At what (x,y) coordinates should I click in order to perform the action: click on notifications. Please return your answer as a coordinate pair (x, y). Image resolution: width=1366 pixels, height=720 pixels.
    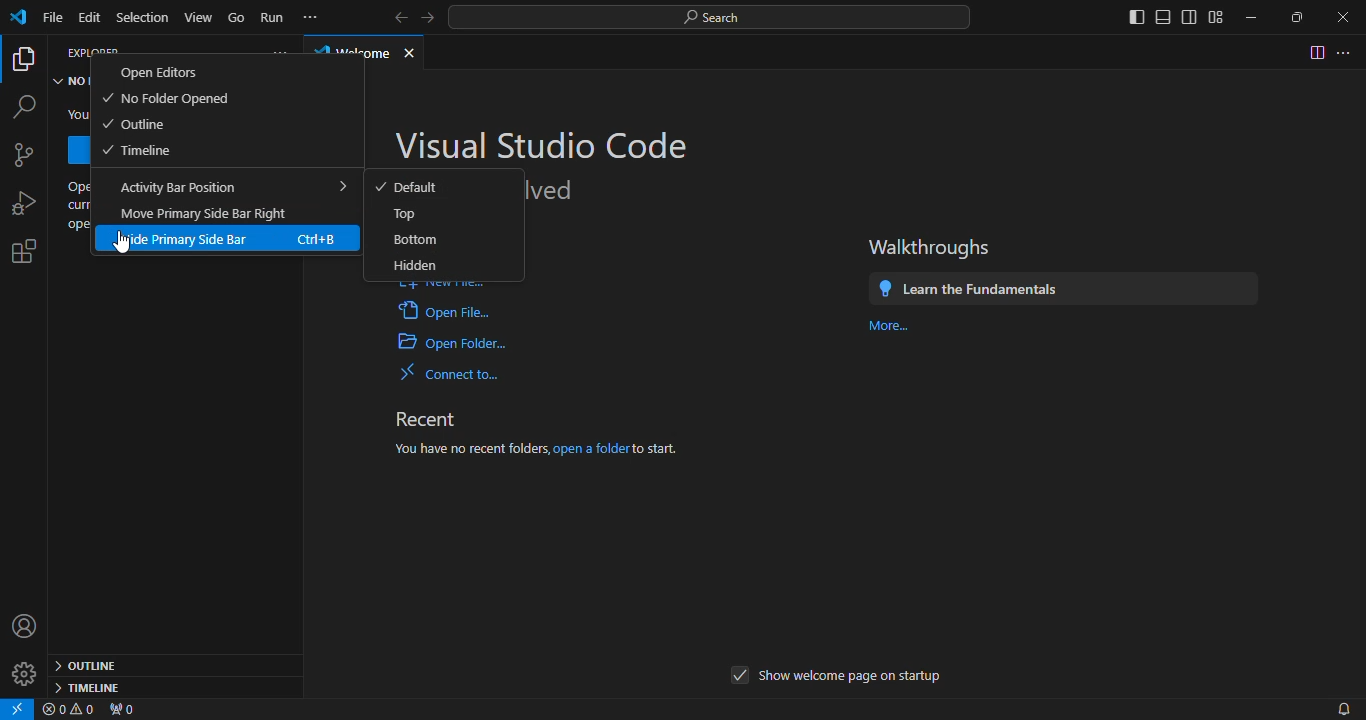
    Looking at the image, I should click on (1341, 707).